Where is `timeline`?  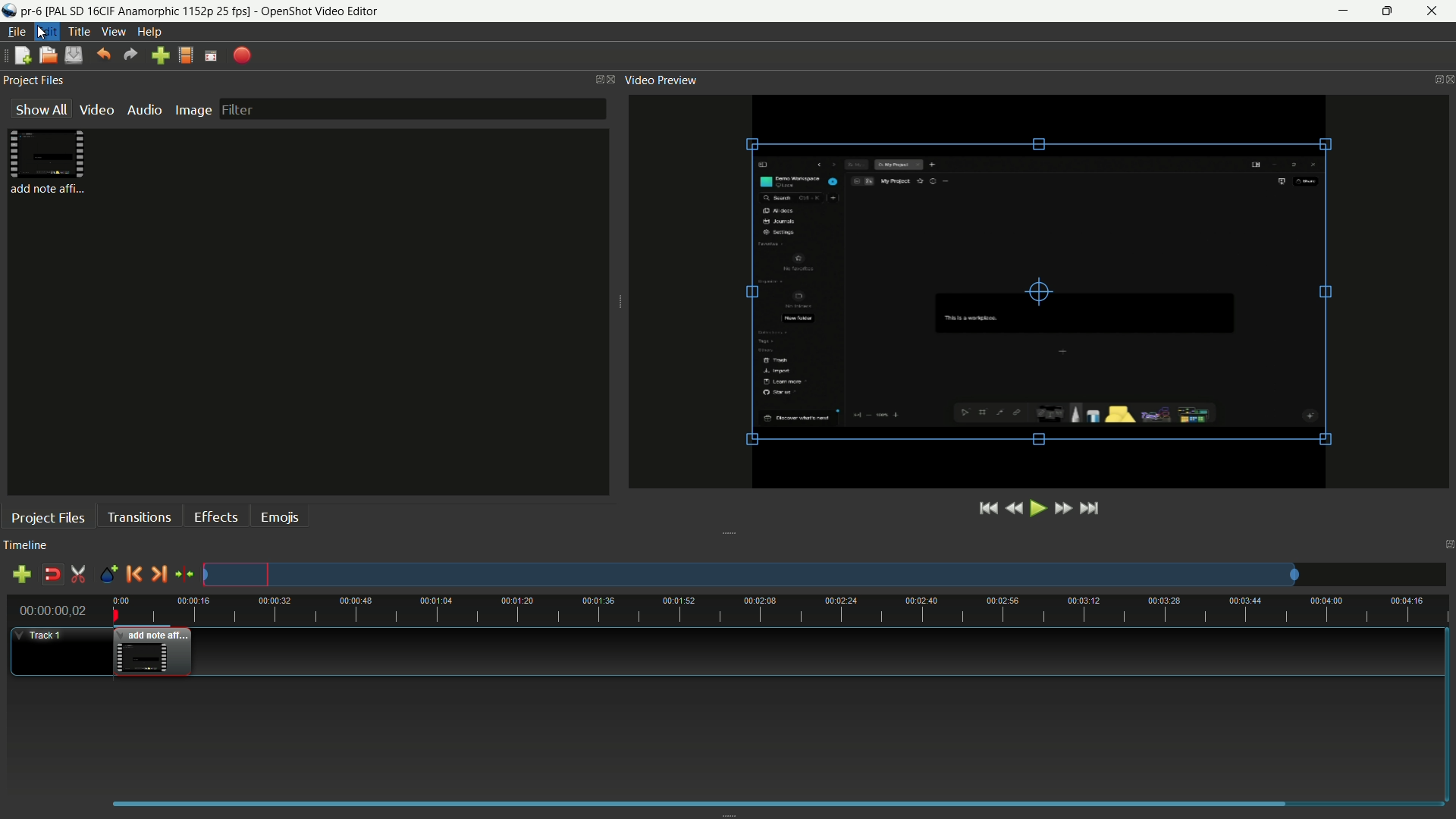 timeline is located at coordinates (26, 544).